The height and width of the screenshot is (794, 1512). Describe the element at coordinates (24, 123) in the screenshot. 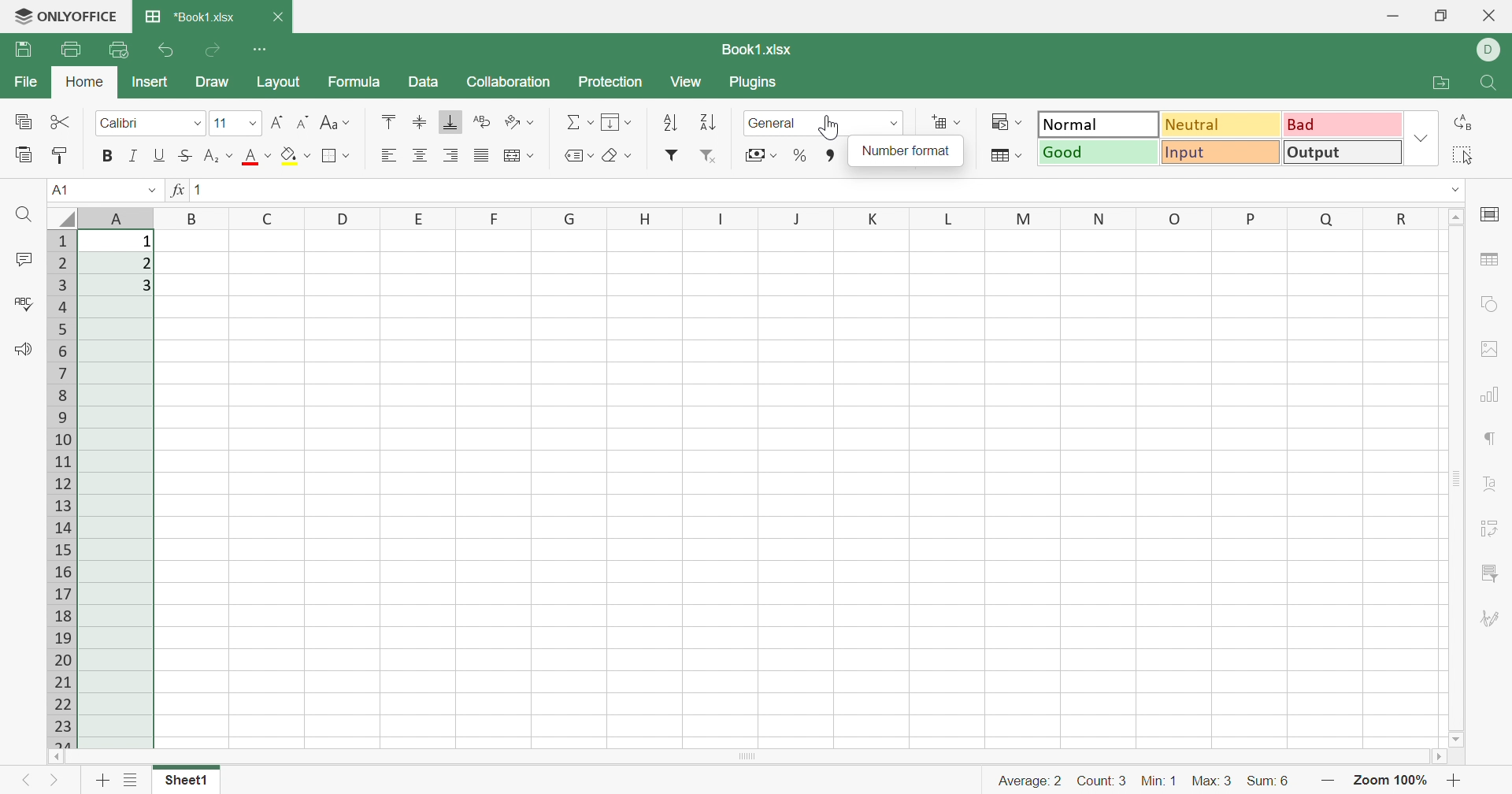

I see `Copy` at that location.